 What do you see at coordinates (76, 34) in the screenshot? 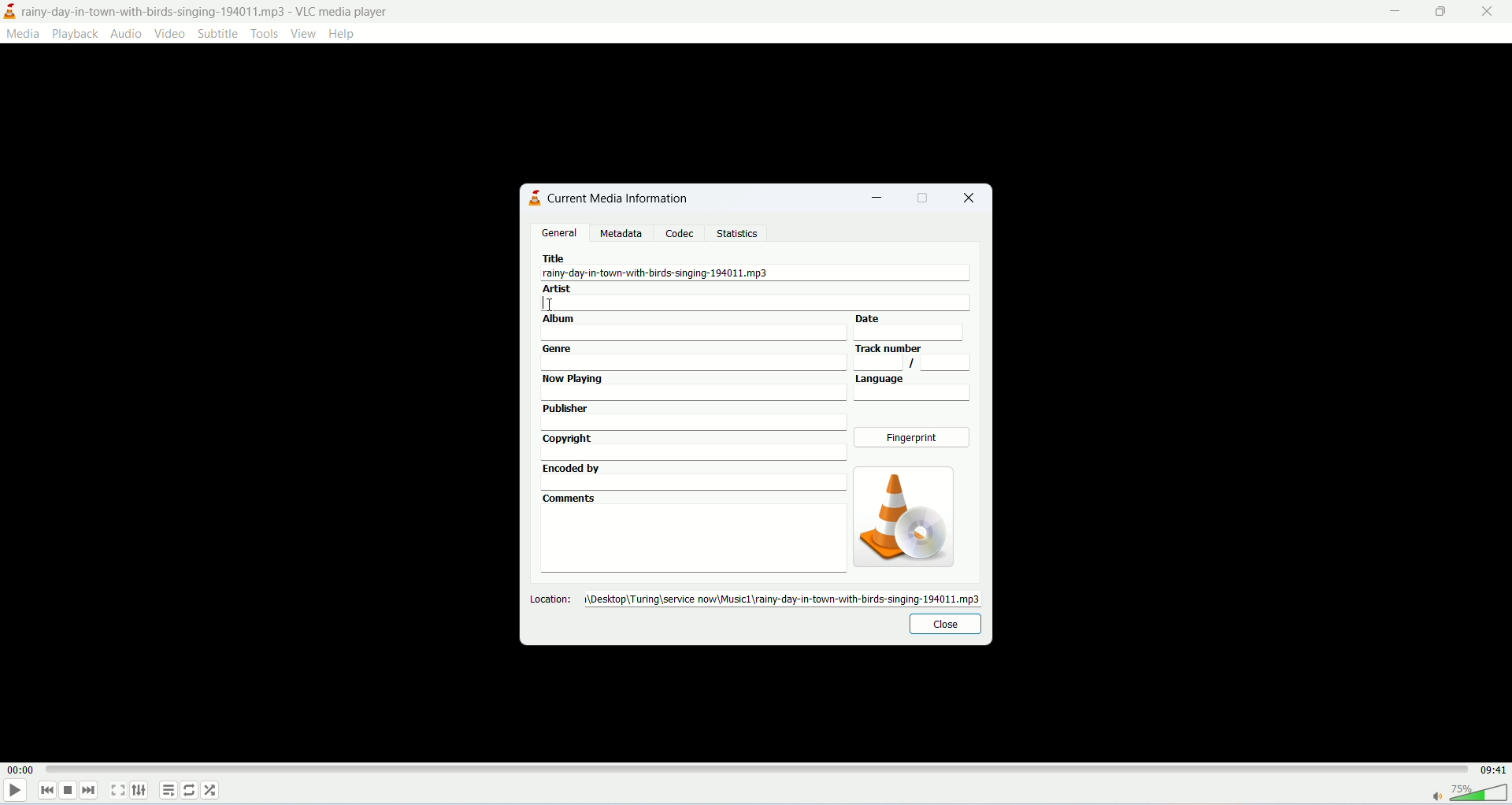
I see `playback` at bounding box center [76, 34].